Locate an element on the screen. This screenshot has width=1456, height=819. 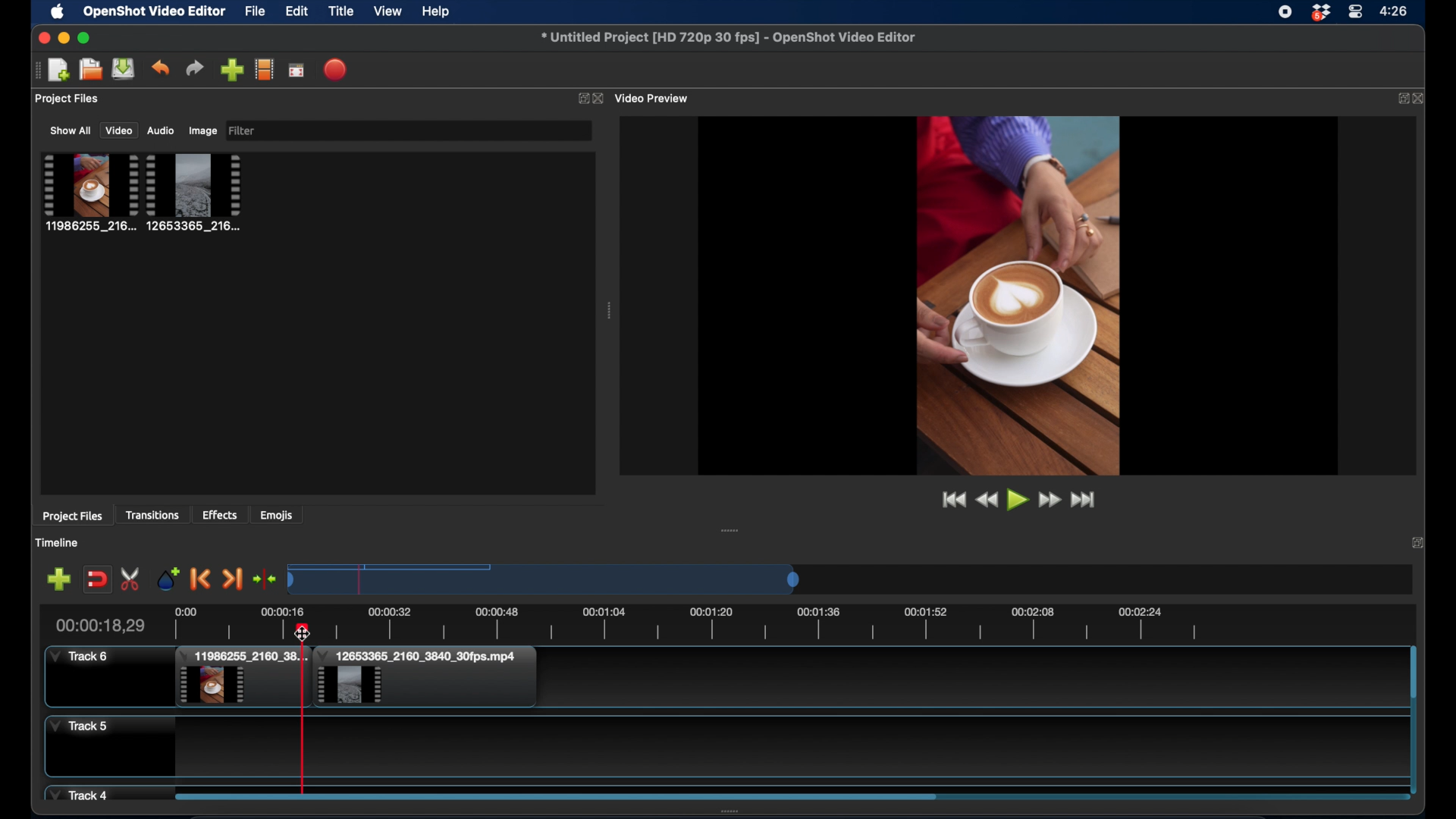
add marker is located at coordinates (168, 578).